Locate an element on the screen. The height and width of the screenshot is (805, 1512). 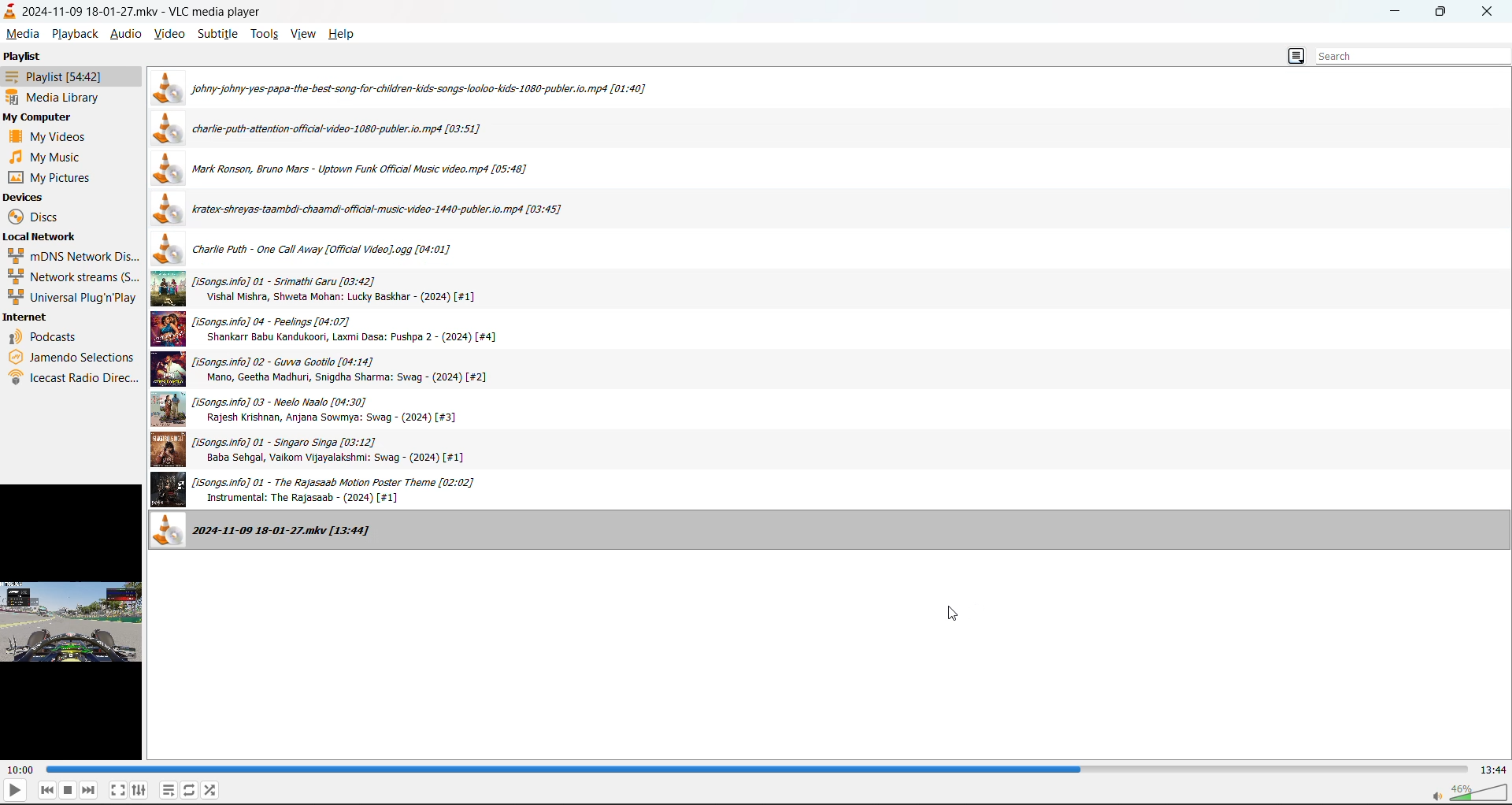
local network is located at coordinates (46, 237).